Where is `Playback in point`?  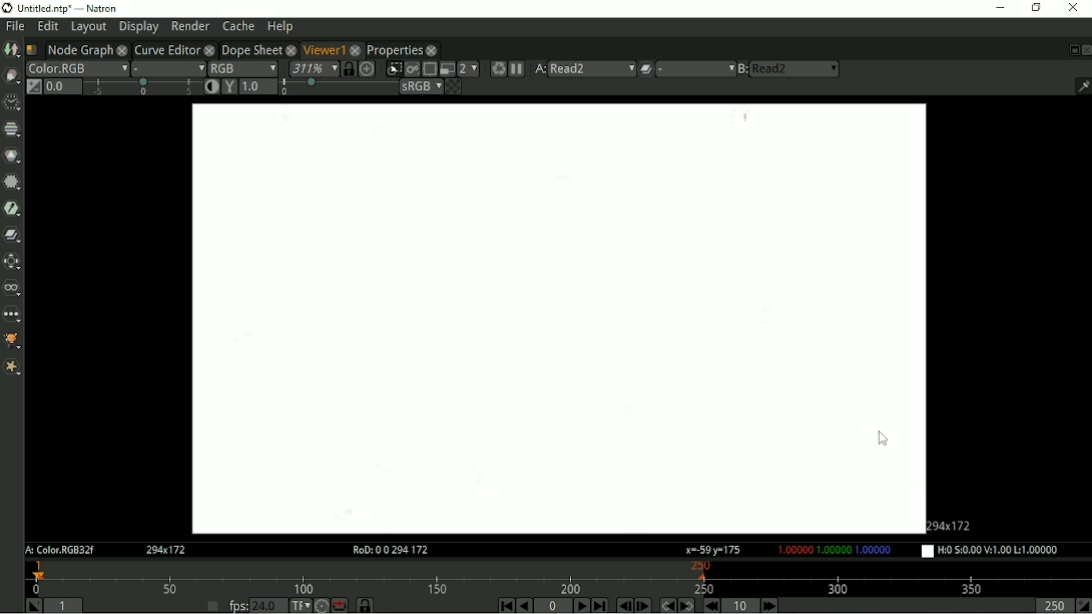
Playback in point is located at coordinates (66, 605).